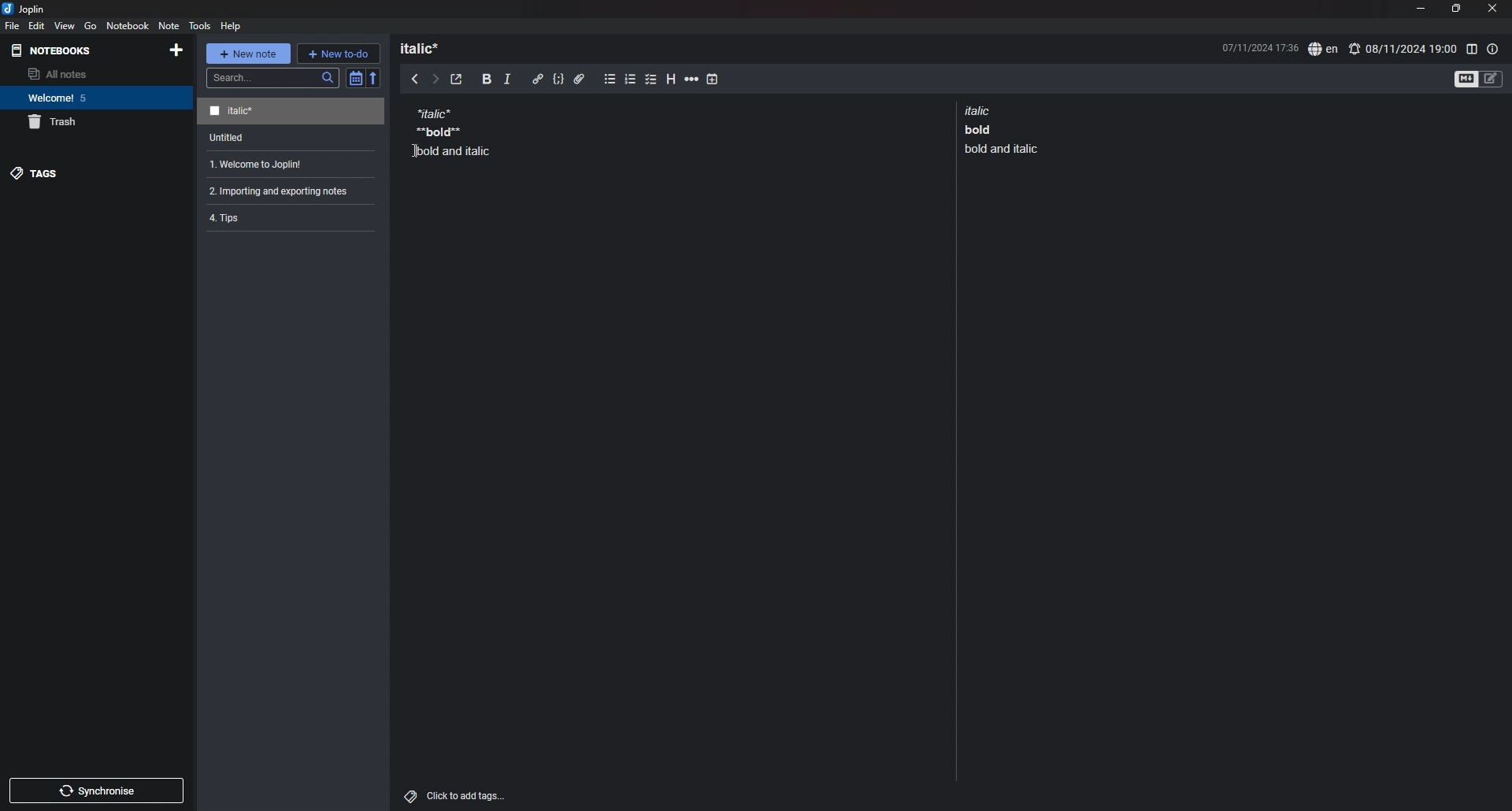 The width and height of the screenshot is (1512, 811). What do you see at coordinates (13, 25) in the screenshot?
I see `file` at bounding box center [13, 25].